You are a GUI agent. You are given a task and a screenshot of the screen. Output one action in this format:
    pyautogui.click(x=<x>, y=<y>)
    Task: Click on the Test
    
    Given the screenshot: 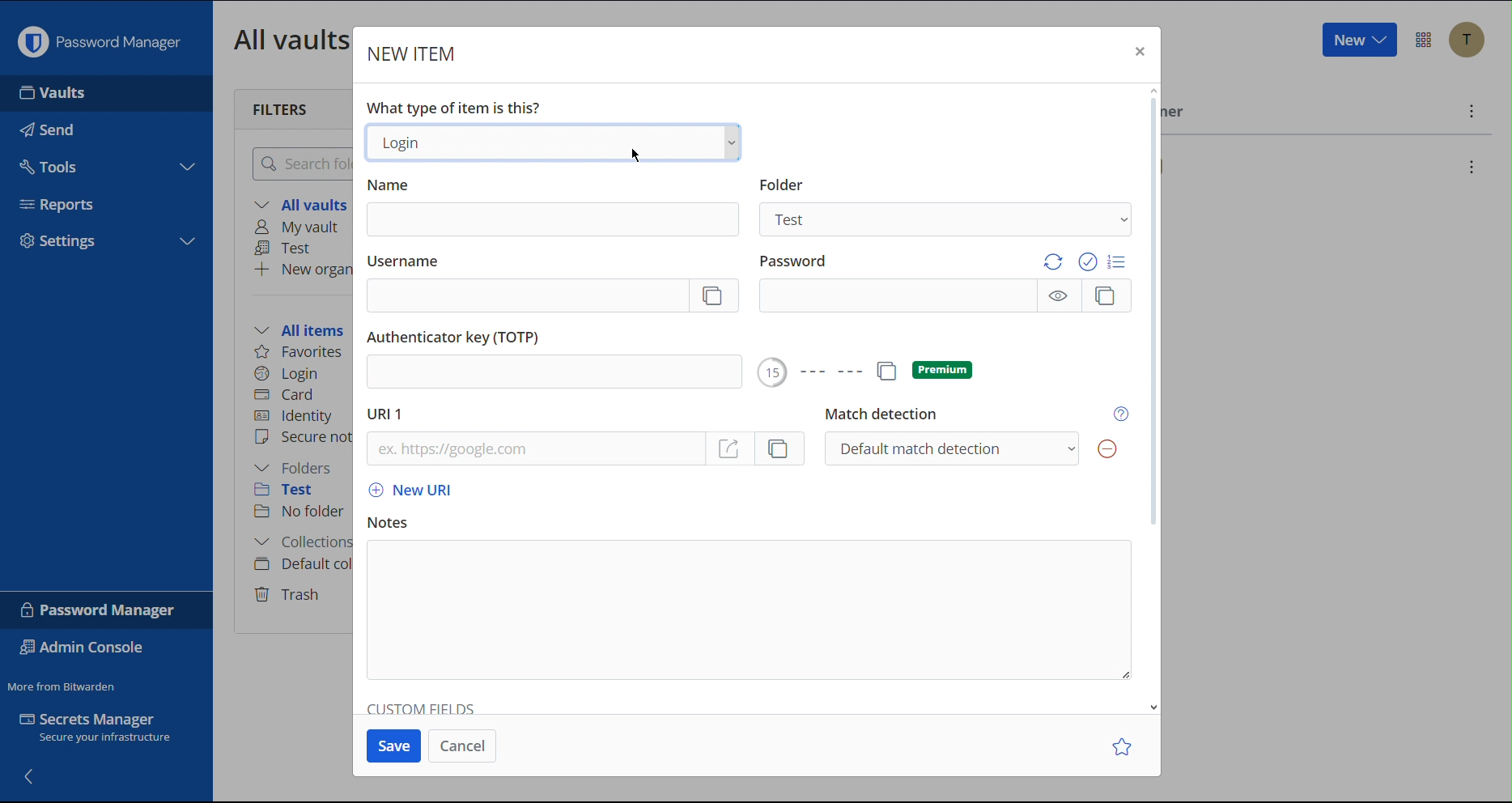 What is the action you would take?
    pyautogui.click(x=287, y=249)
    